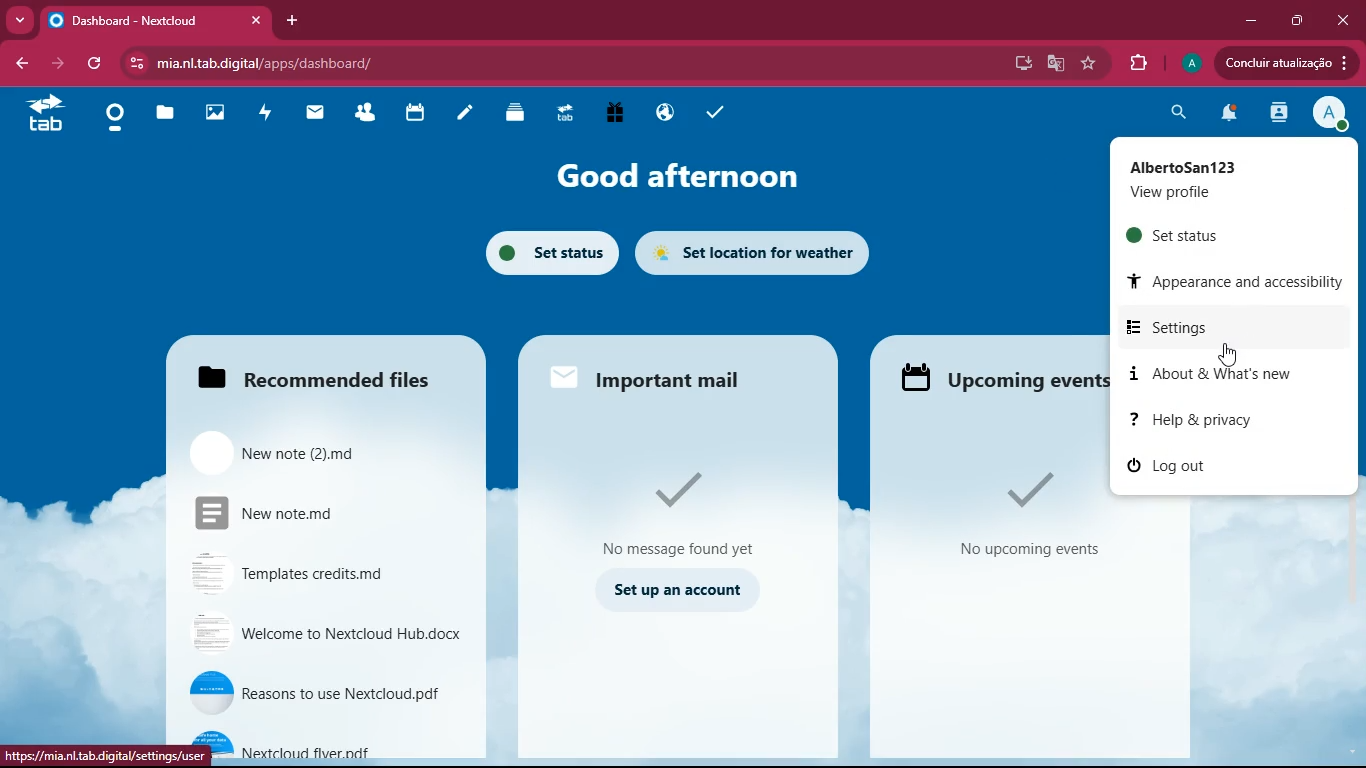 This screenshot has width=1366, height=768. What do you see at coordinates (1089, 65) in the screenshot?
I see `favourite` at bounding box center [1089, 65].